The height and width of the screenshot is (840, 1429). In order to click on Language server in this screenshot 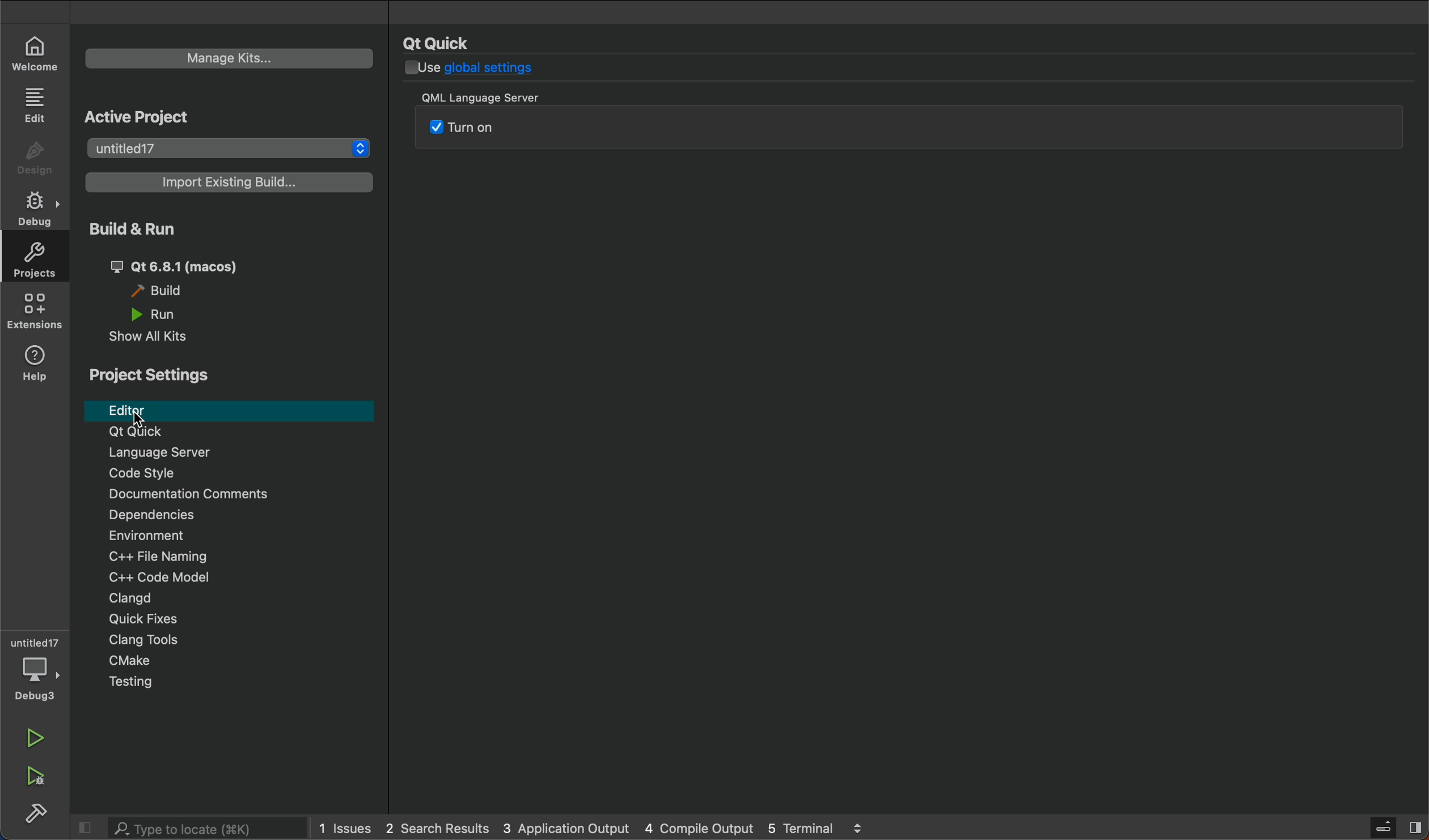, I will do `click(230, 453)`.